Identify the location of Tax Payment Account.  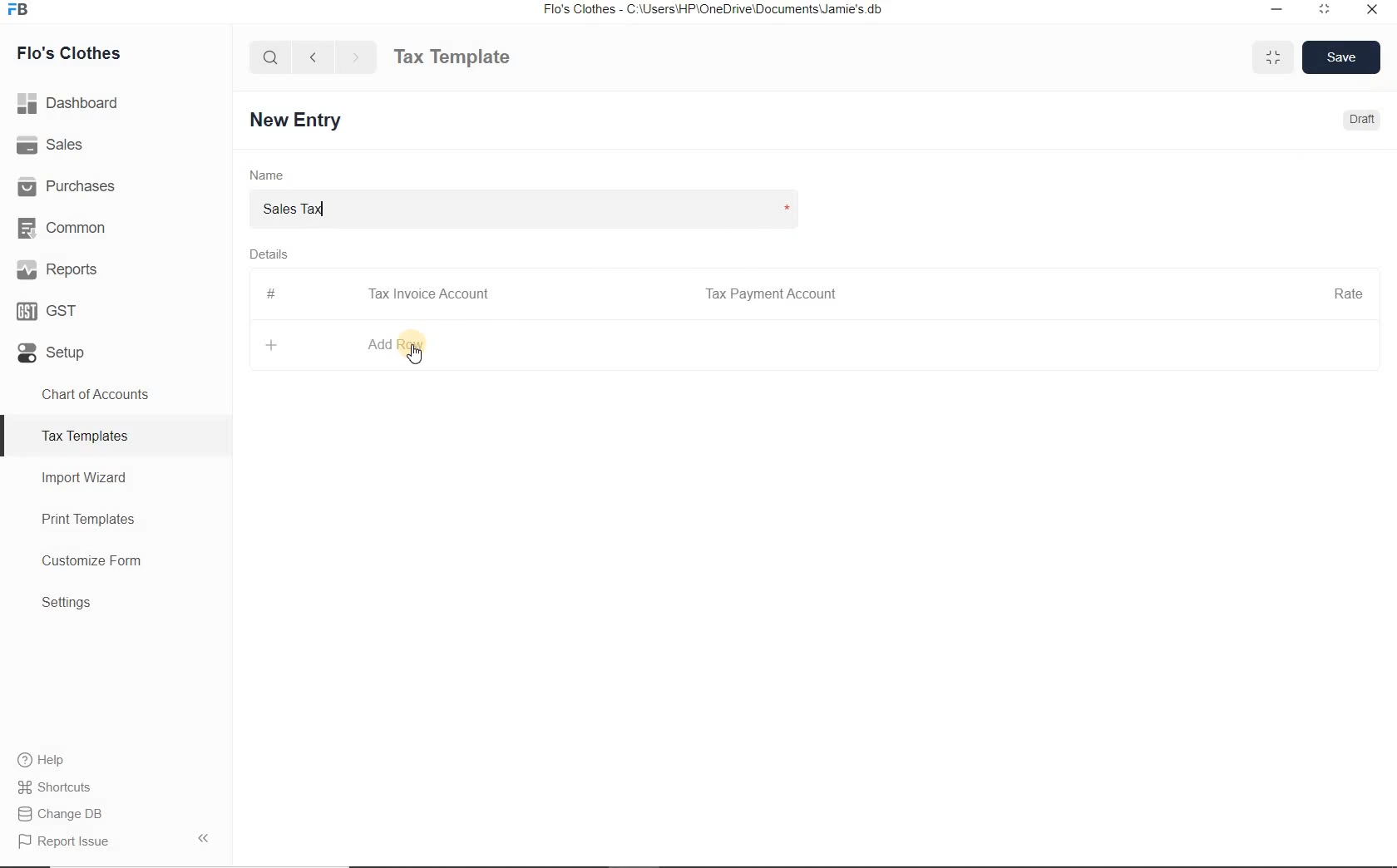
(769, 294).